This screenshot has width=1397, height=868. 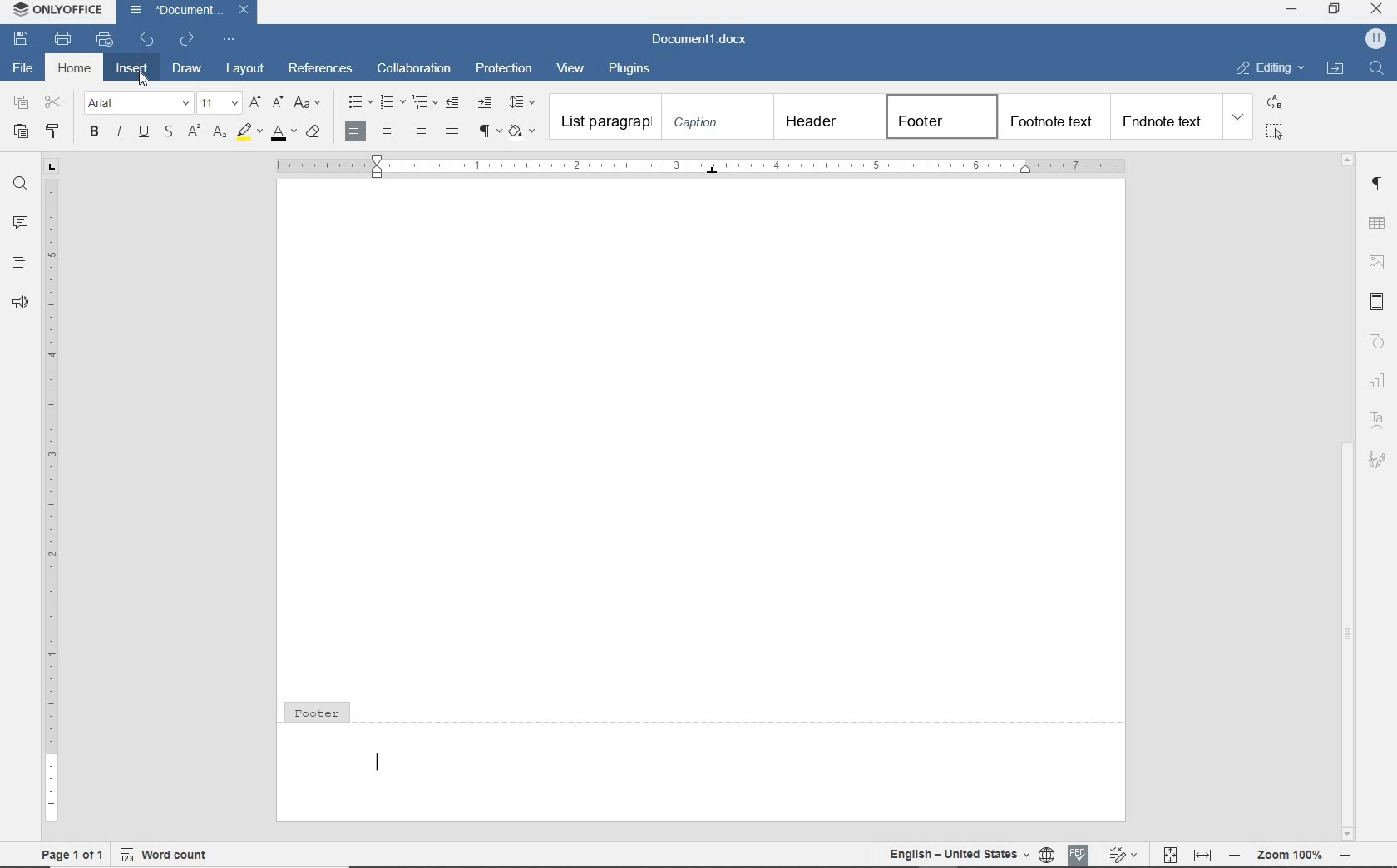 I want to click on FONT COLOR, so click(x=284, y=136).